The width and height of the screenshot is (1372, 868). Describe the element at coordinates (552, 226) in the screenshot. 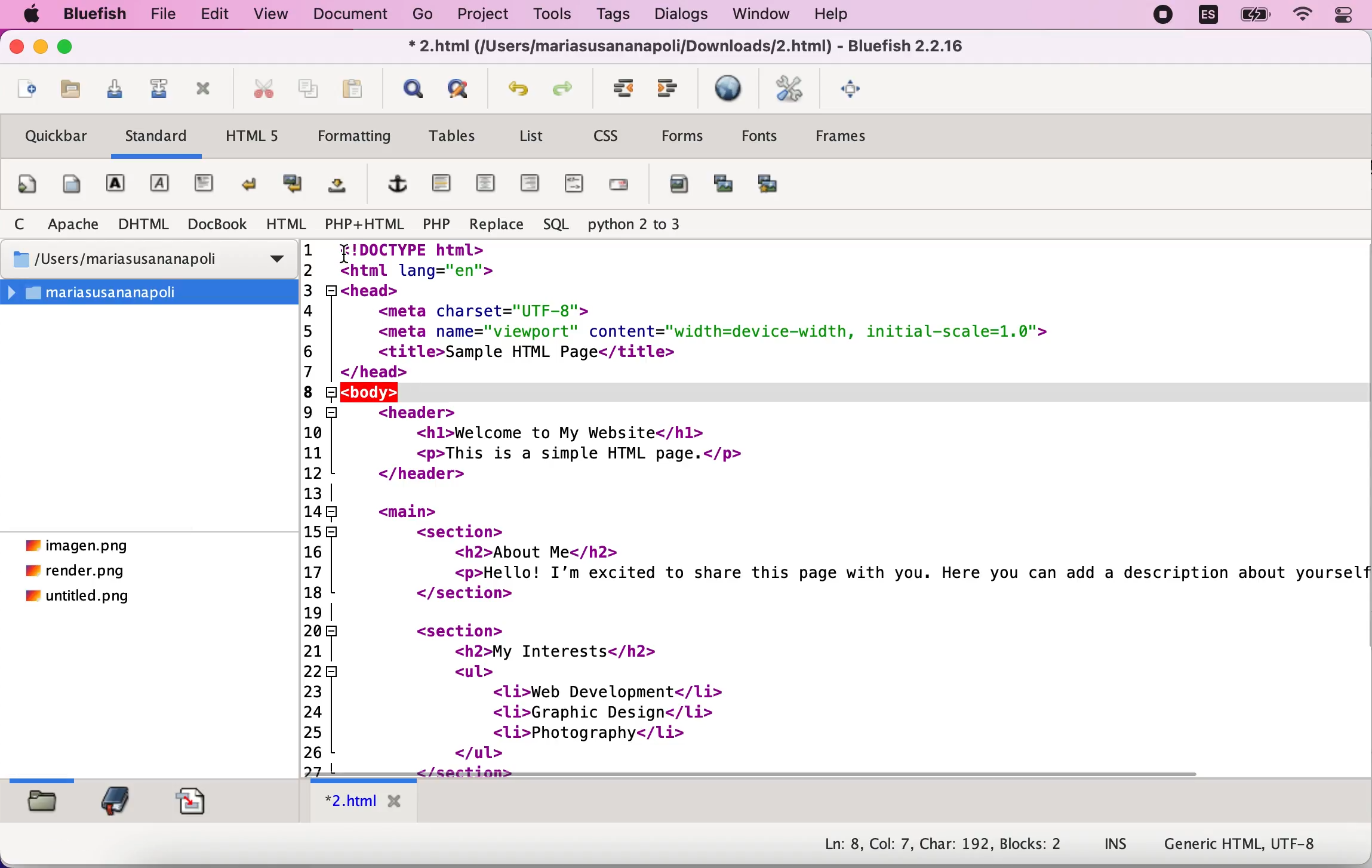

I see `sql` at that location.